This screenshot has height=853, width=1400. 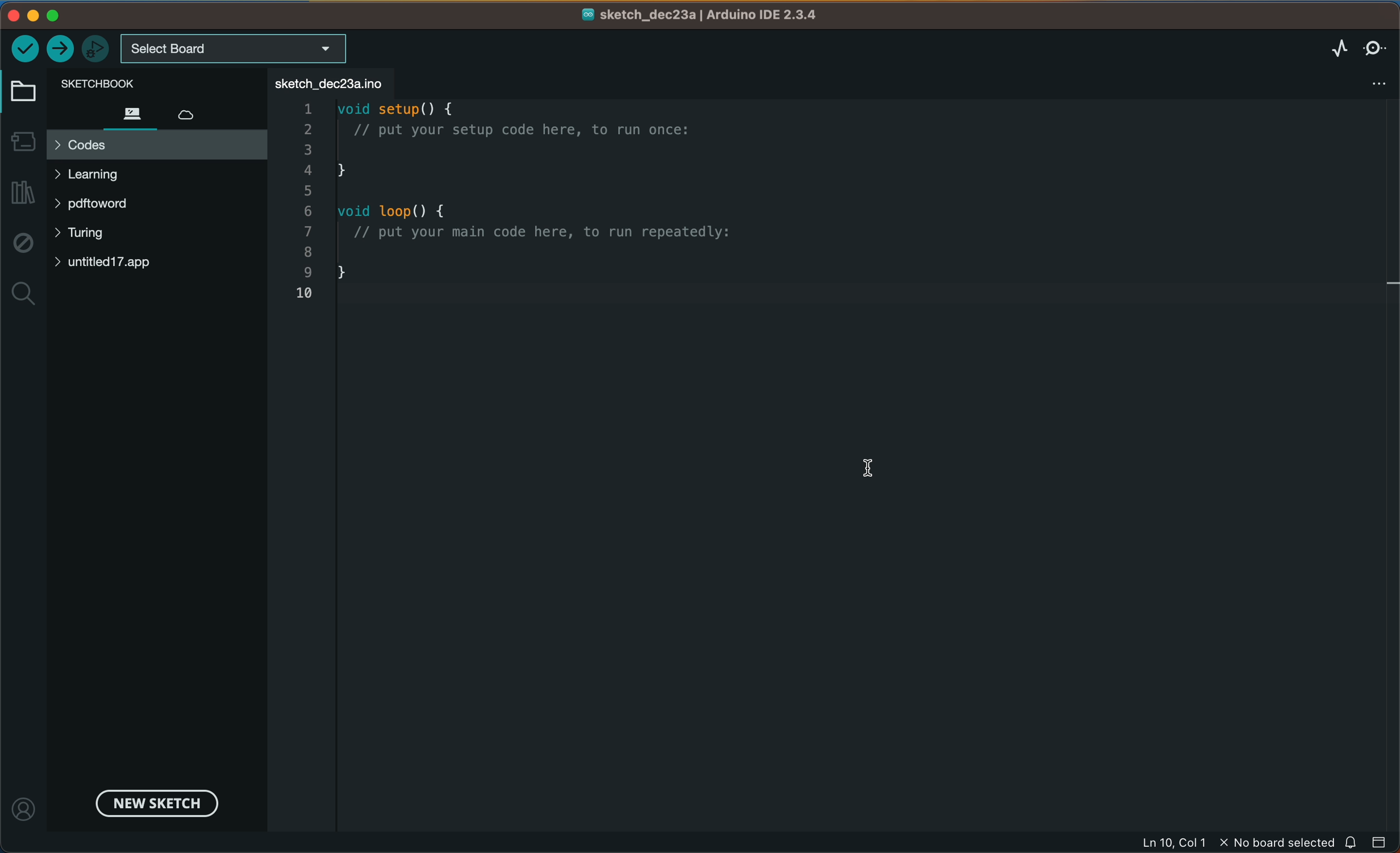 What do you see at coordinates (23, 141) in the screenshot?
I see `board manager` at bounding box center [23, 141].